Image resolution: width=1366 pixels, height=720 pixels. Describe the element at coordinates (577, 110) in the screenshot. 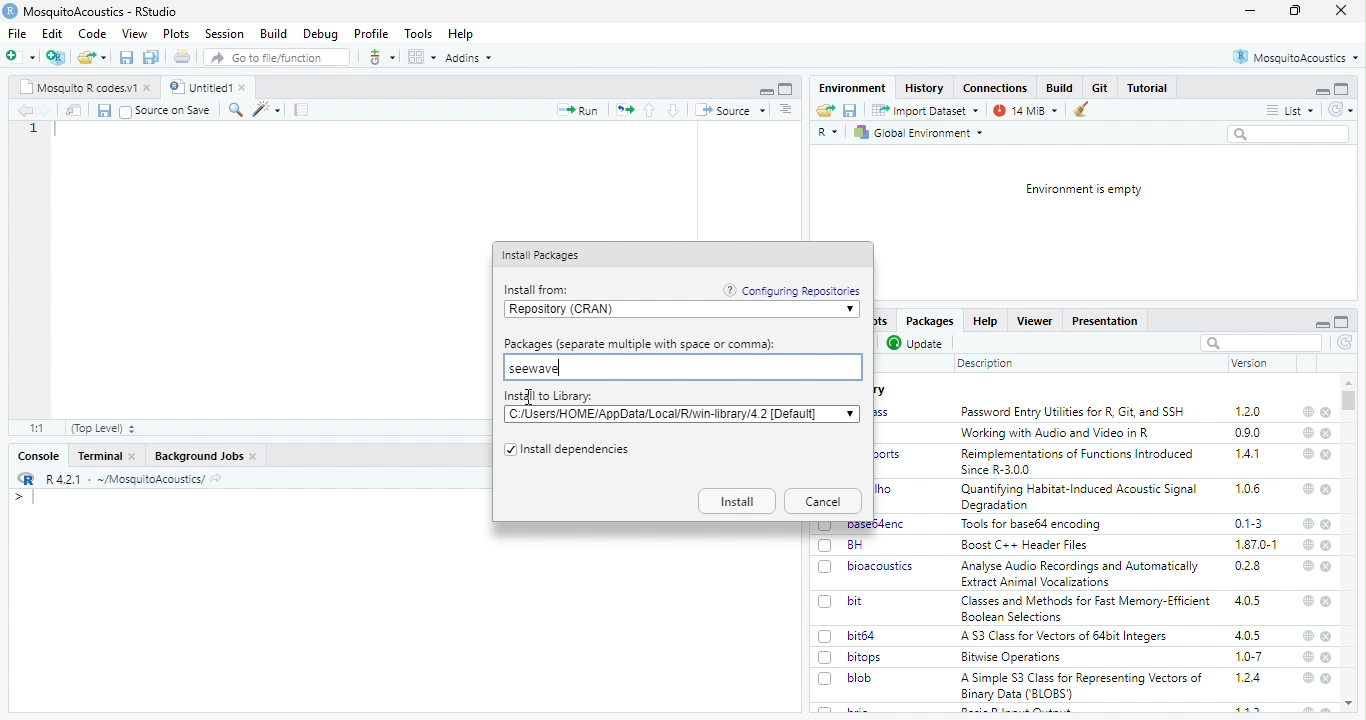

I see `Run` at that location.